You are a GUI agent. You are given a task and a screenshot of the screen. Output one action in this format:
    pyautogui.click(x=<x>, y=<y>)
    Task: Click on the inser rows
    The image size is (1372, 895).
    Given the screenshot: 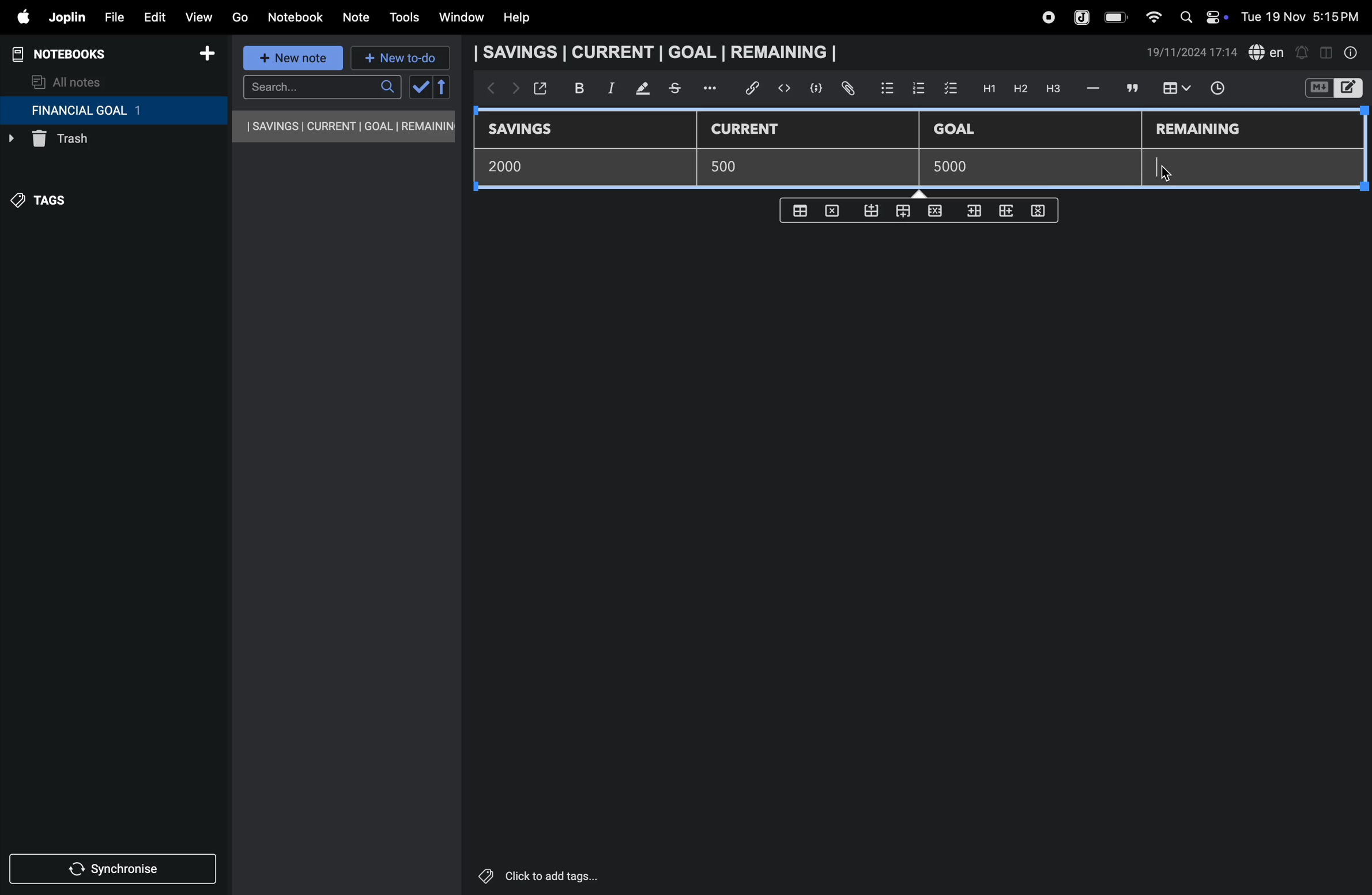 What is the action you would take?
    pyautogui.click(x=972, y=213)
    